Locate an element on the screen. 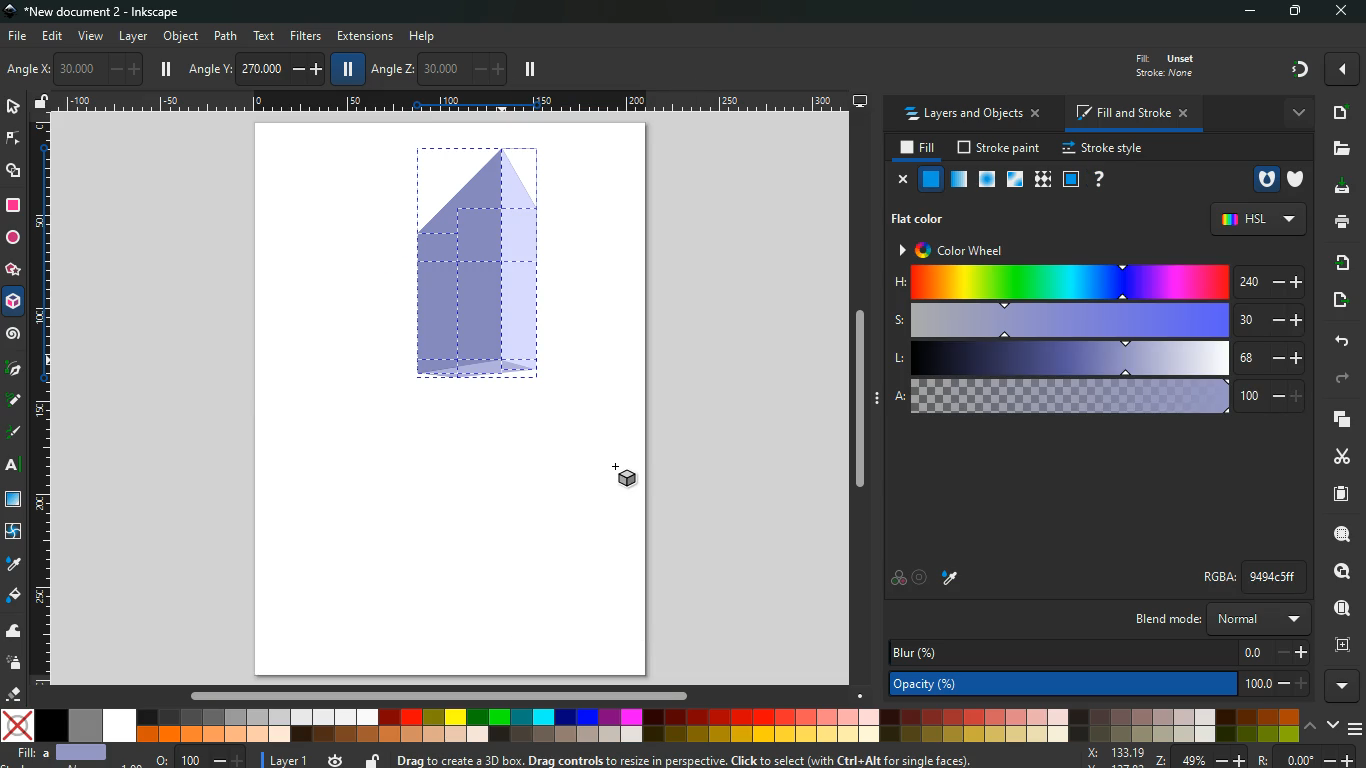 The image size is (1366, 768). close is located at coordinates (1340, 12).